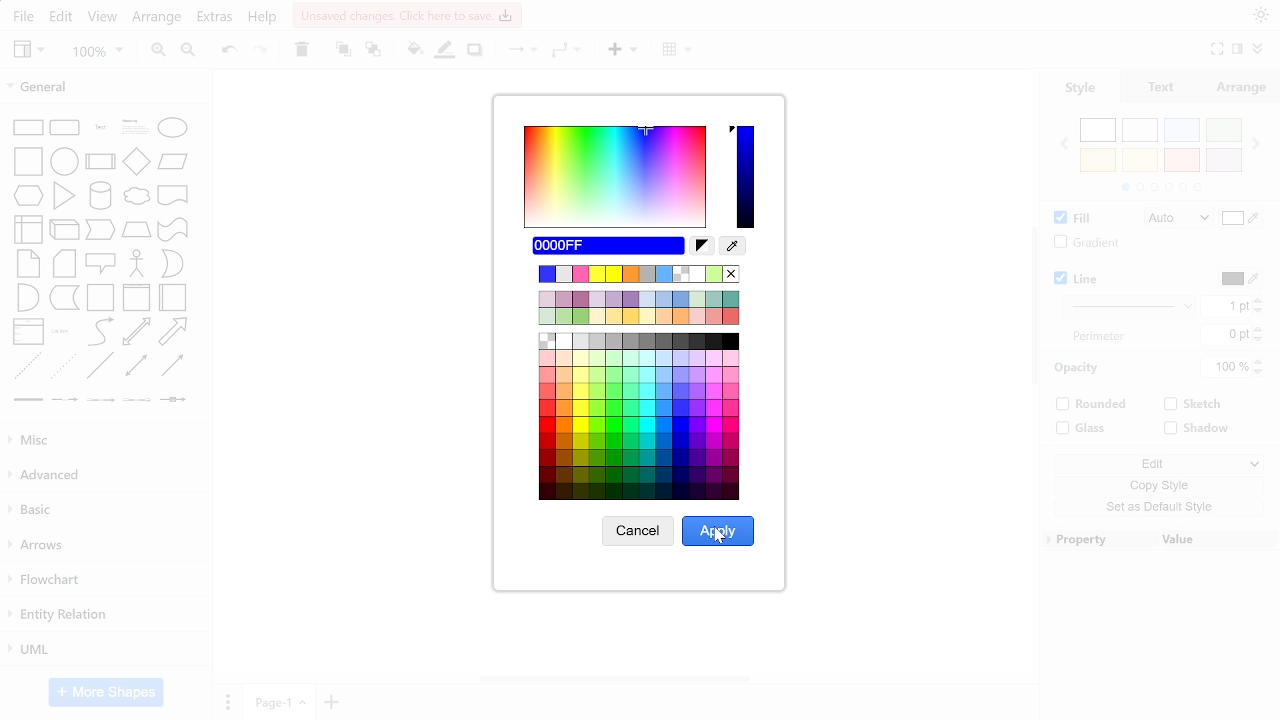  I want to click on Opacity, so click(1080, 368).